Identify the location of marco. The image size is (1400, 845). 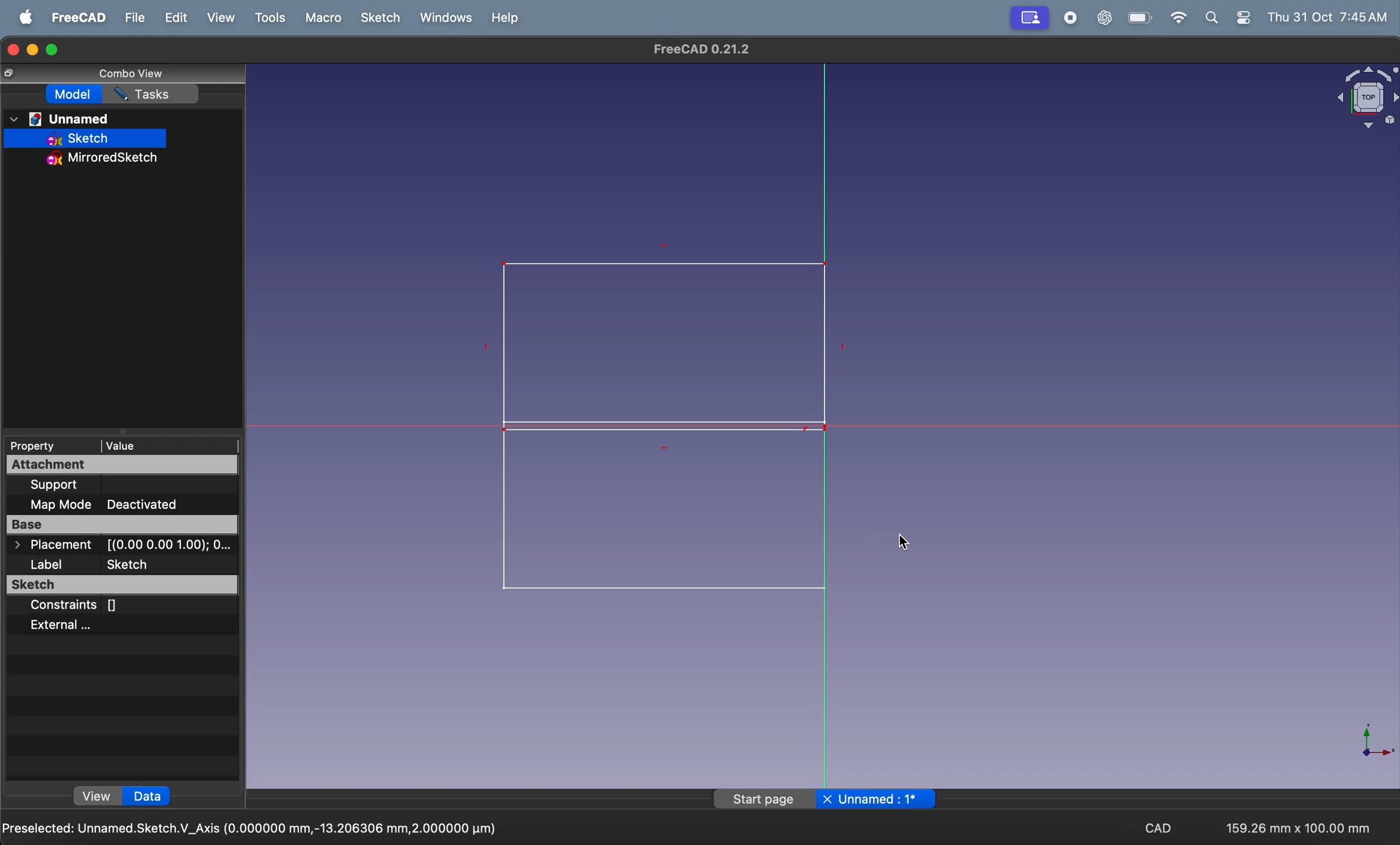
(320, 19).